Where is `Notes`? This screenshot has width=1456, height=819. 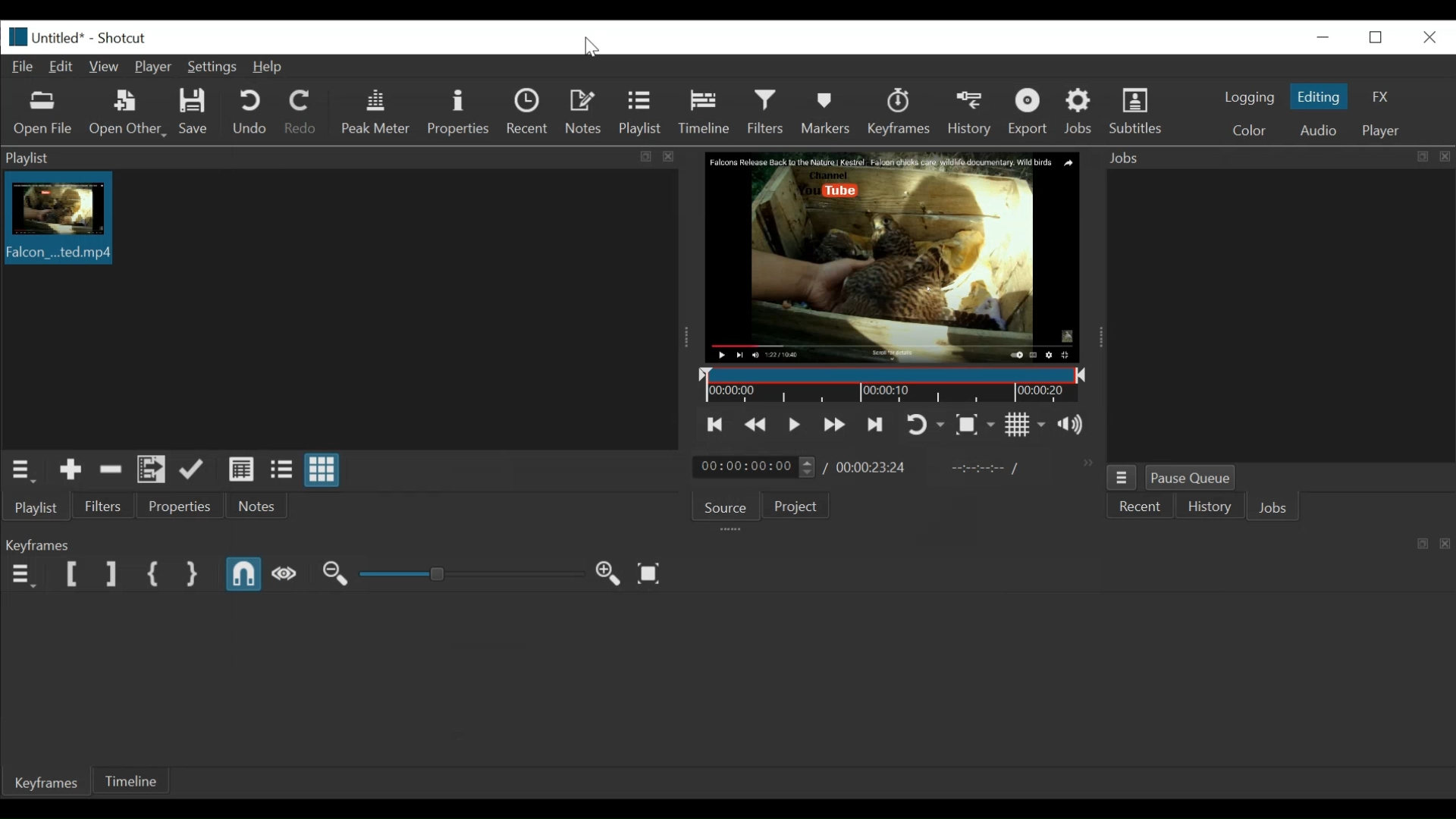
Notes is located at coordinates (260, 508).